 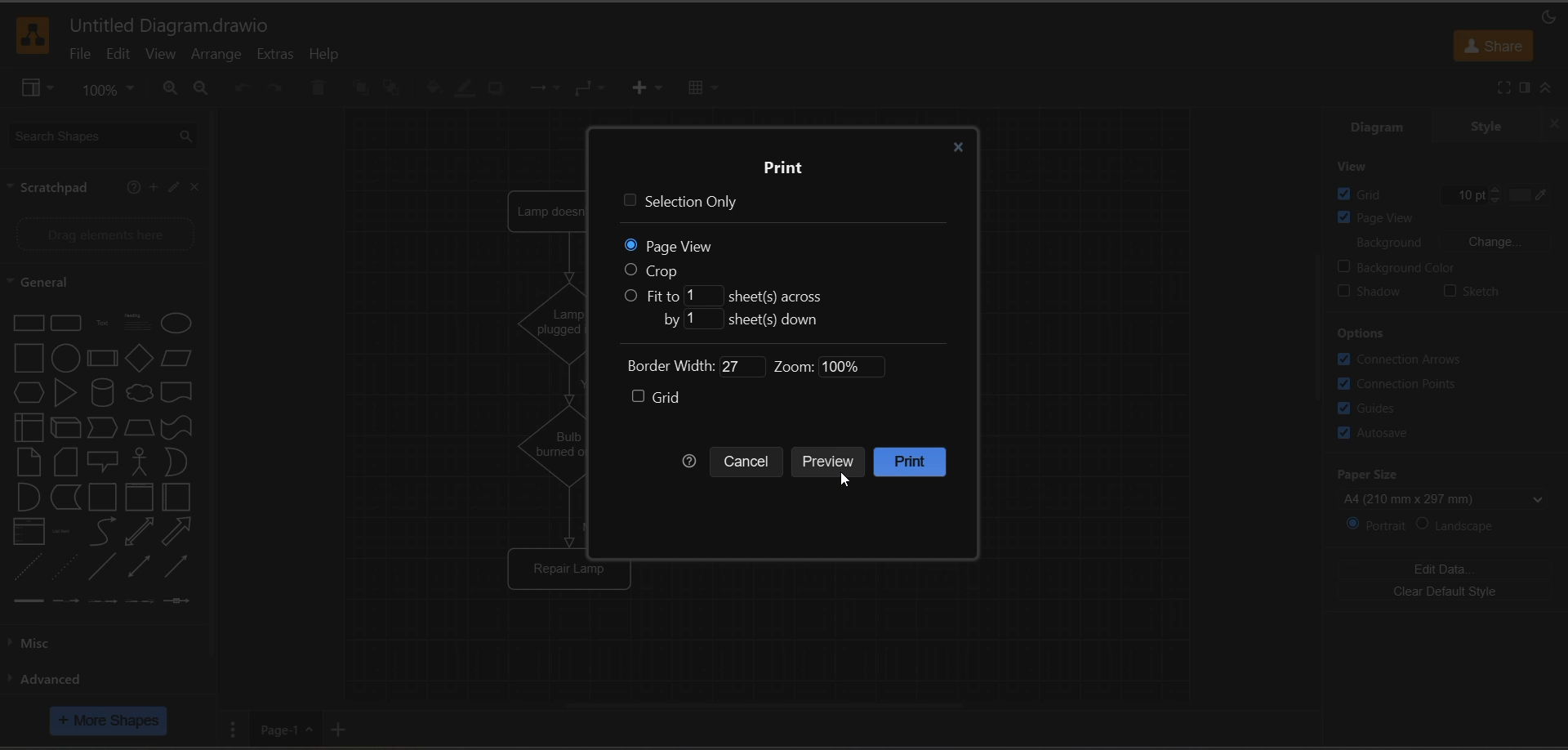 I want to click on table, so click(x=701, y=87).